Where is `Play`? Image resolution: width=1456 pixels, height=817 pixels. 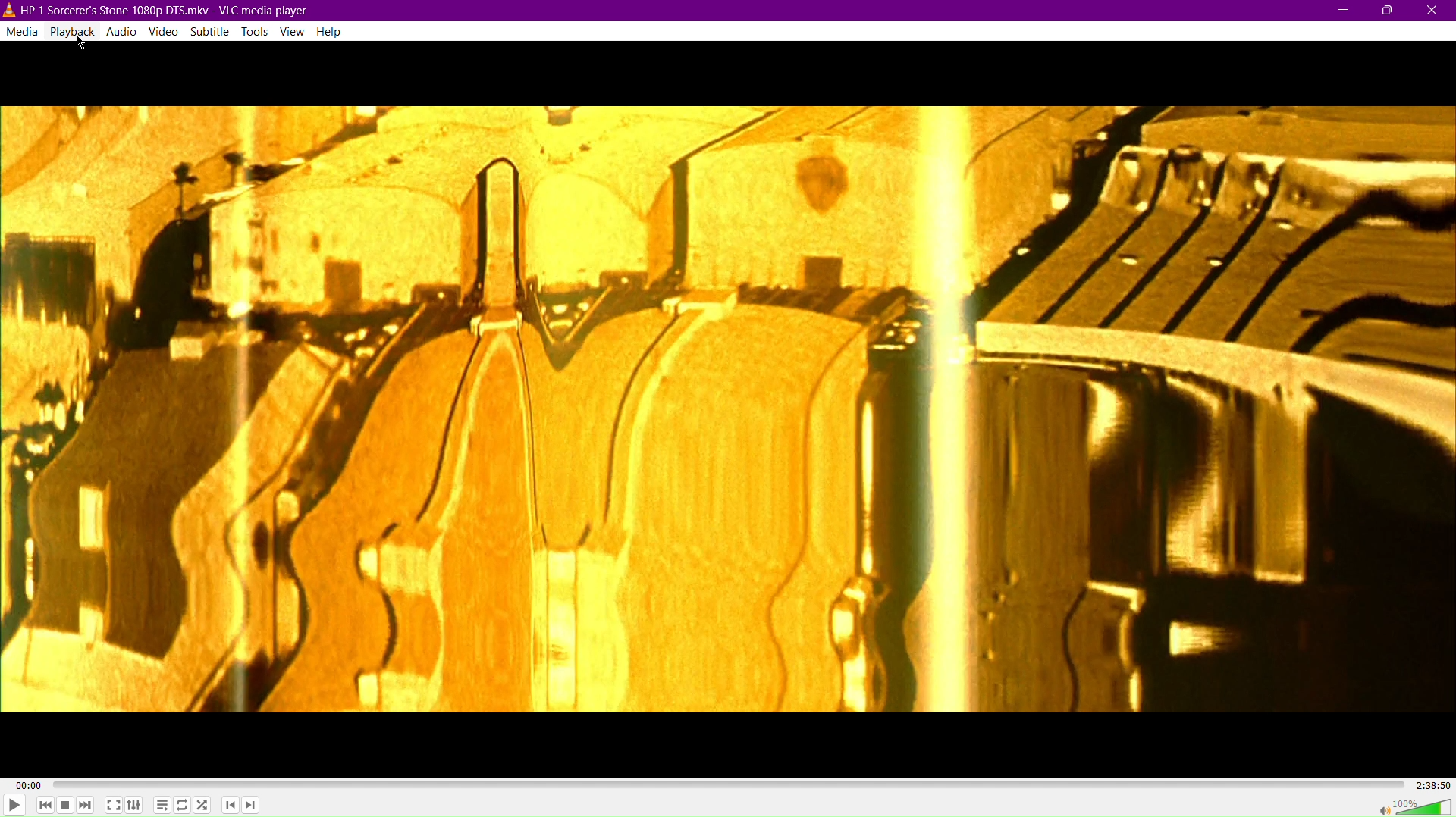
Play is located at coordinates (14, 806).